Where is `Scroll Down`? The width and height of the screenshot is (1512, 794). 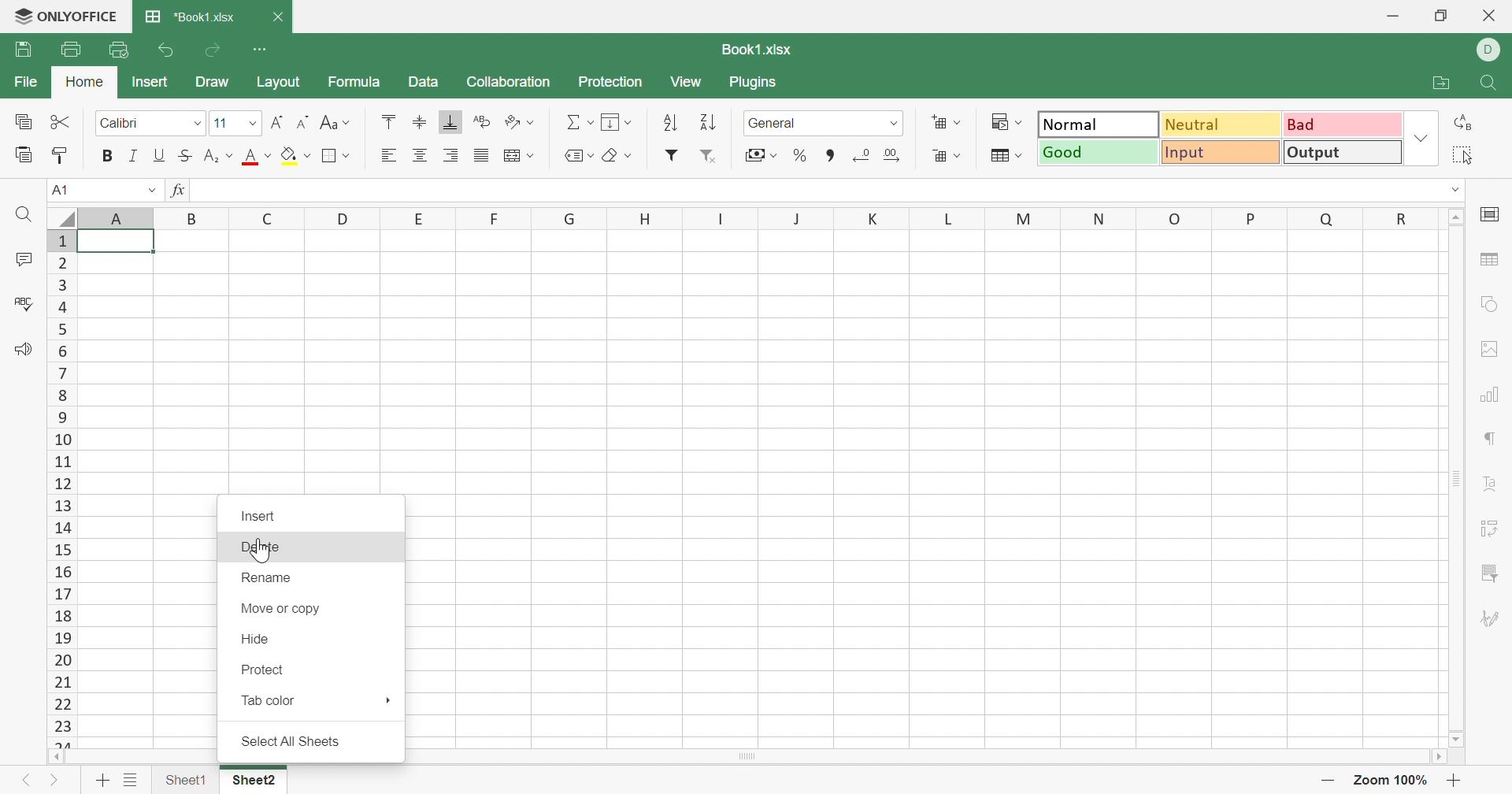
Scroll Down is located at coordinates (1458, 740).